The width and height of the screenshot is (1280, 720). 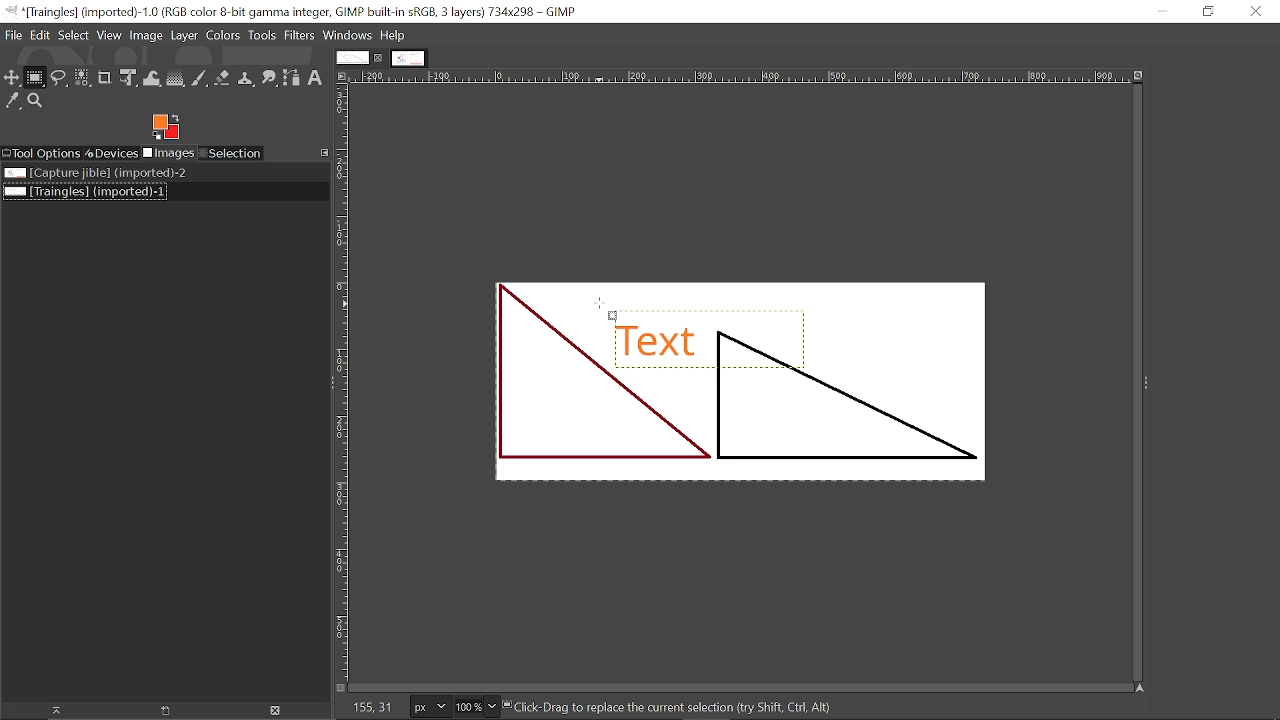 I want to click on Wrap text tool, so click(x=152, y=78).